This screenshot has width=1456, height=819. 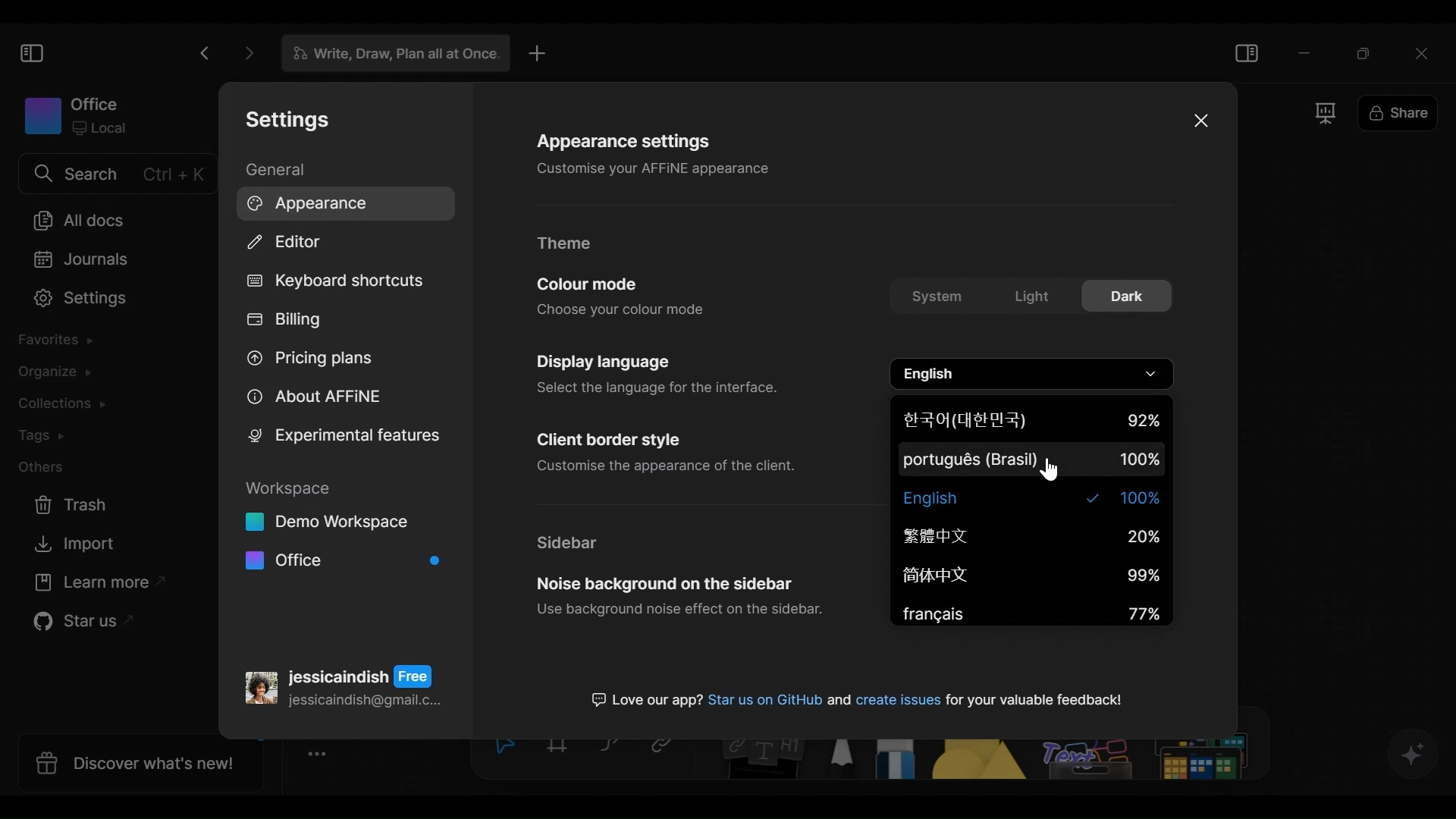 What do you see at coordinates (65, 404) in the screenshot?
I see `Colections` at bounding box center [65, 404].